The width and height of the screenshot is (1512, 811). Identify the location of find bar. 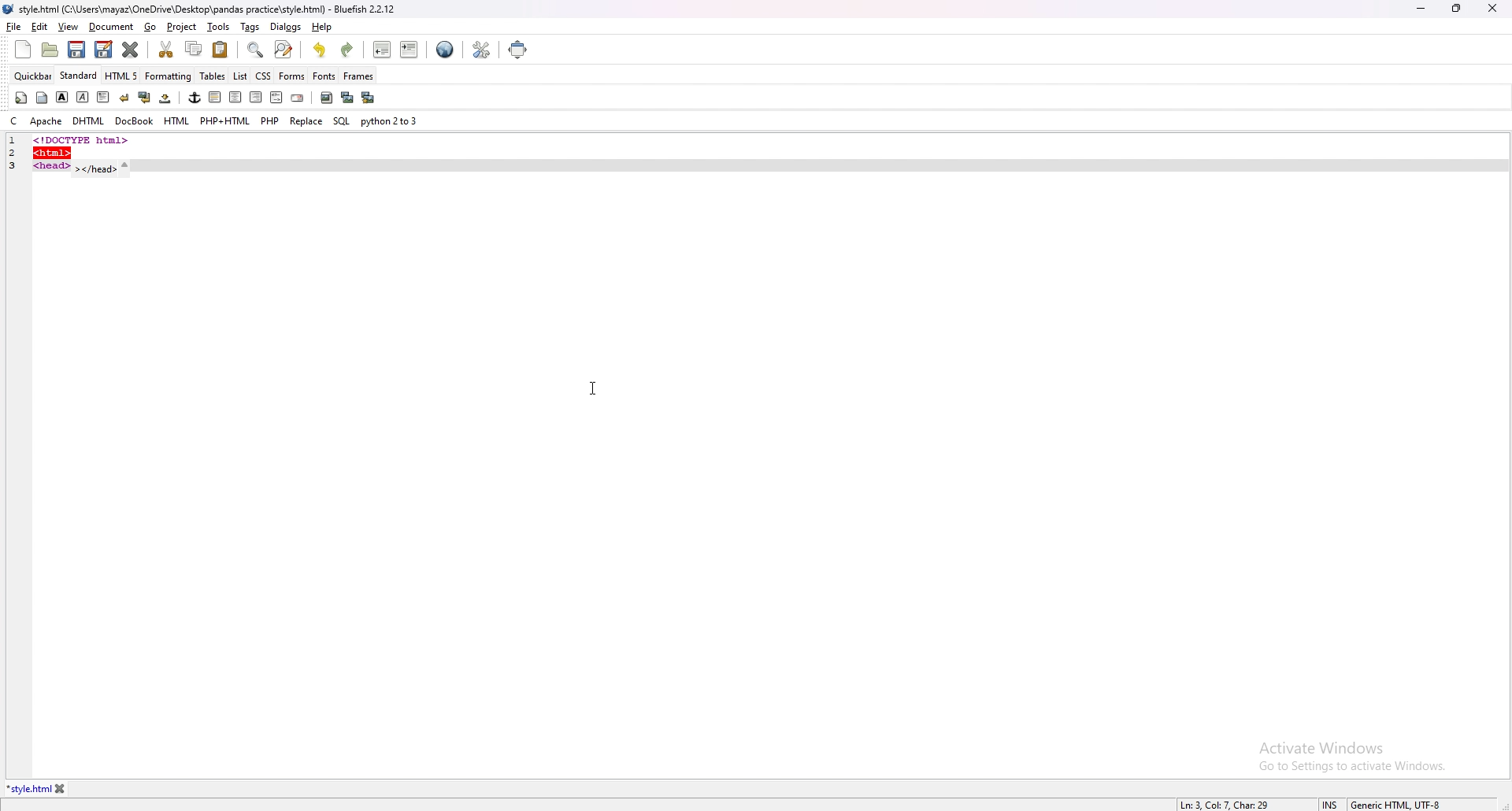
(256, 50).